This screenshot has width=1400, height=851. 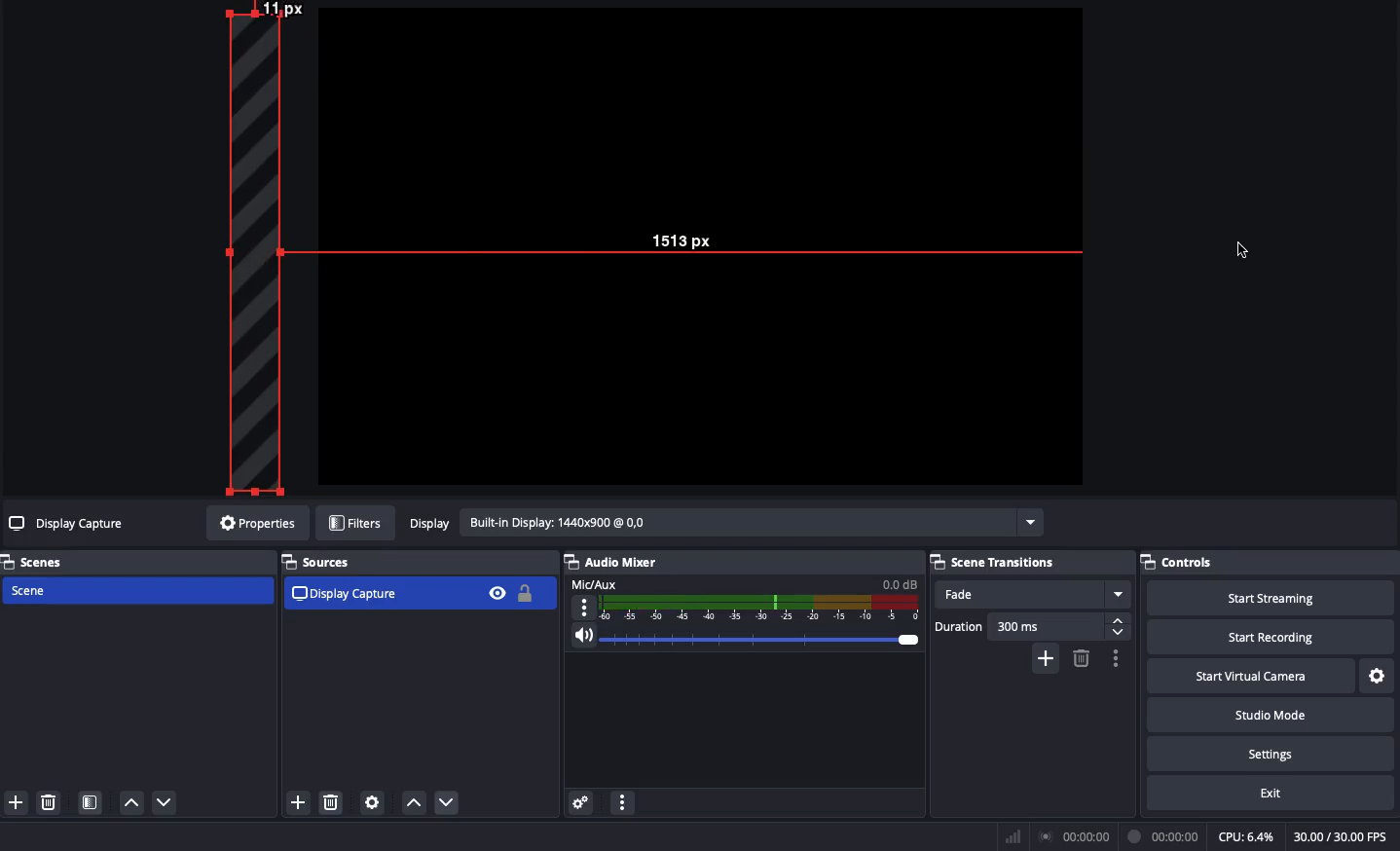 I want to click on CPU, so click(x=1245, y=837).